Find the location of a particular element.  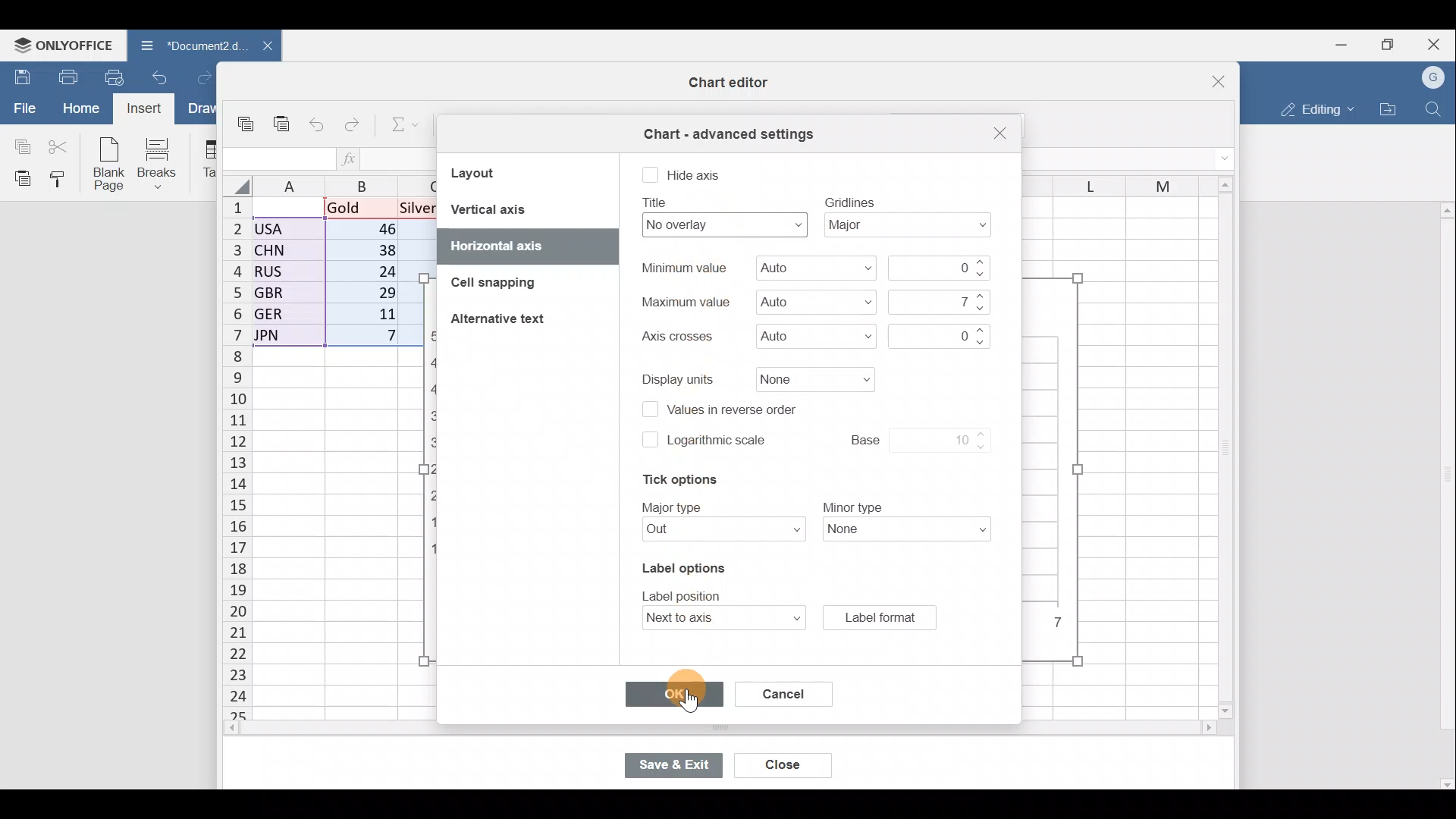

Breaks is located at coordinates (165, 162).